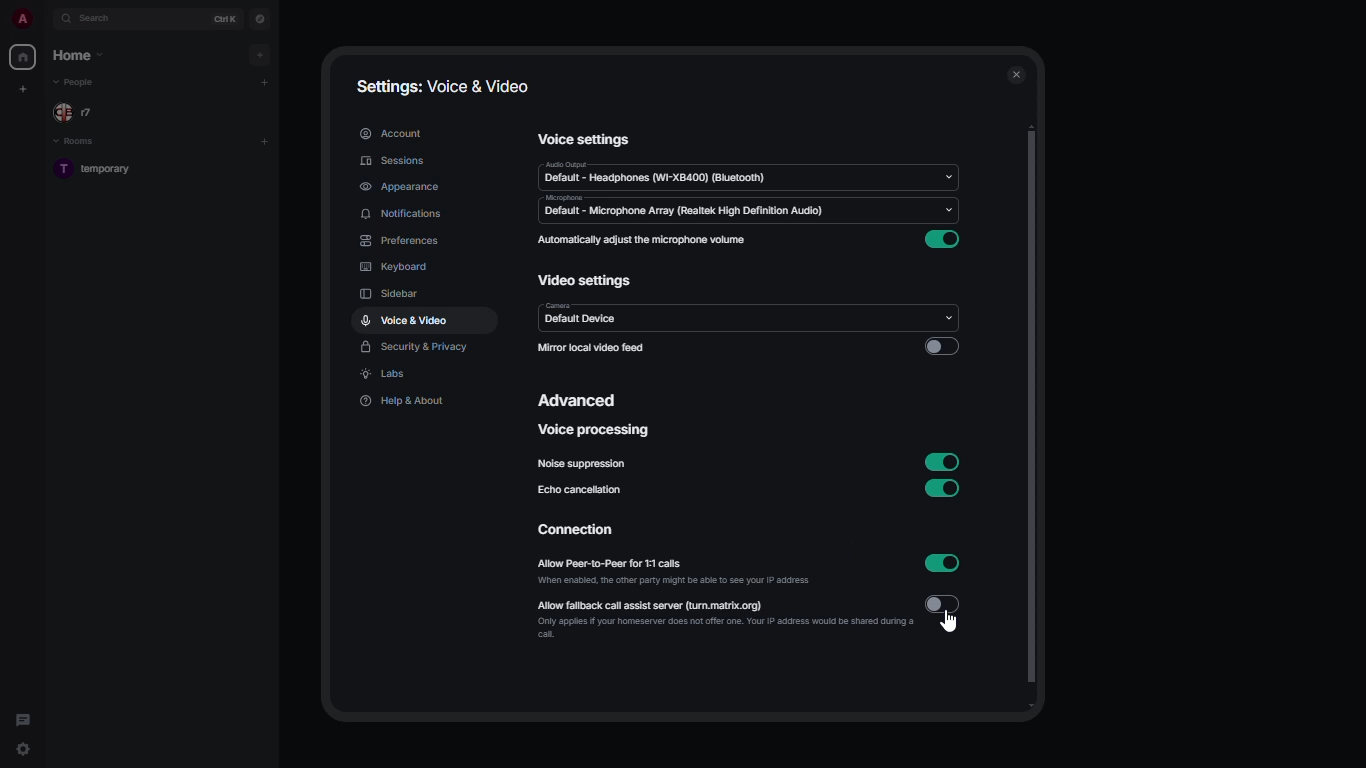  Describe the element at coordinates (682, 206) in the screenshot. I see `microphone default` at that location.